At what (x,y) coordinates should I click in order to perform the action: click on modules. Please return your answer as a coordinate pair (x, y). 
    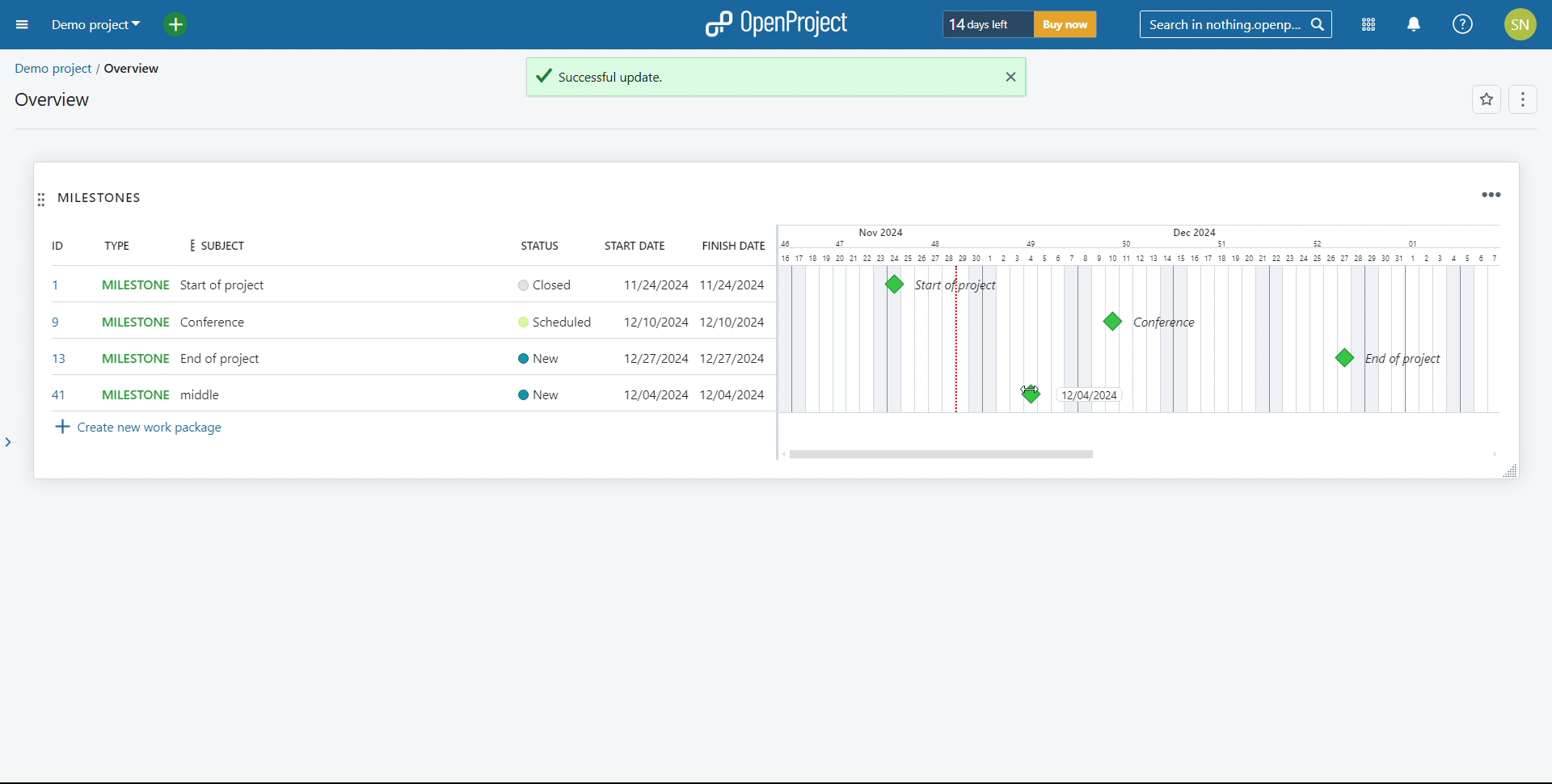
    Looking at the image, I should click on (1369, 25).